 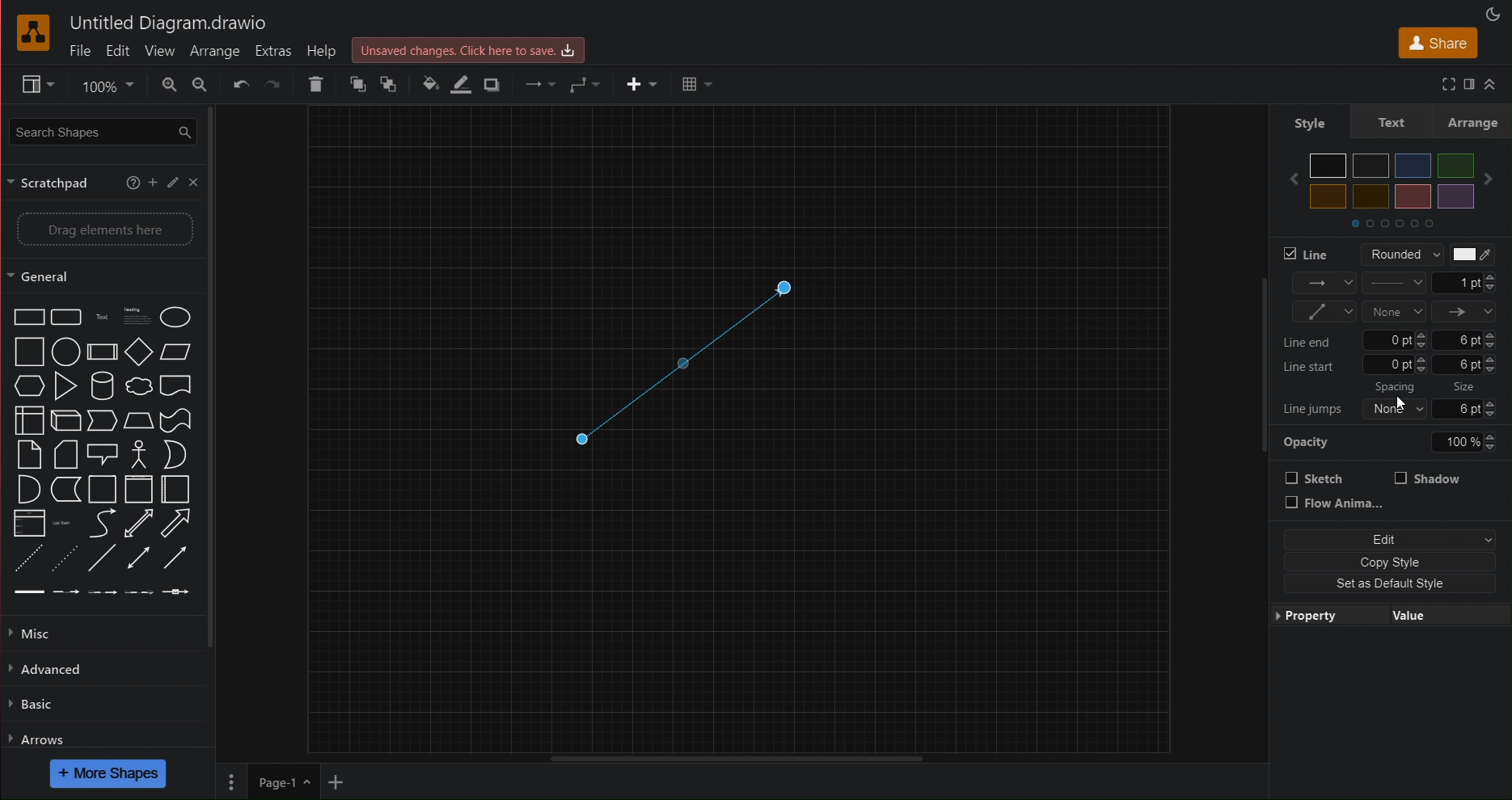 I want to click on options, so click(x=230, y=781).